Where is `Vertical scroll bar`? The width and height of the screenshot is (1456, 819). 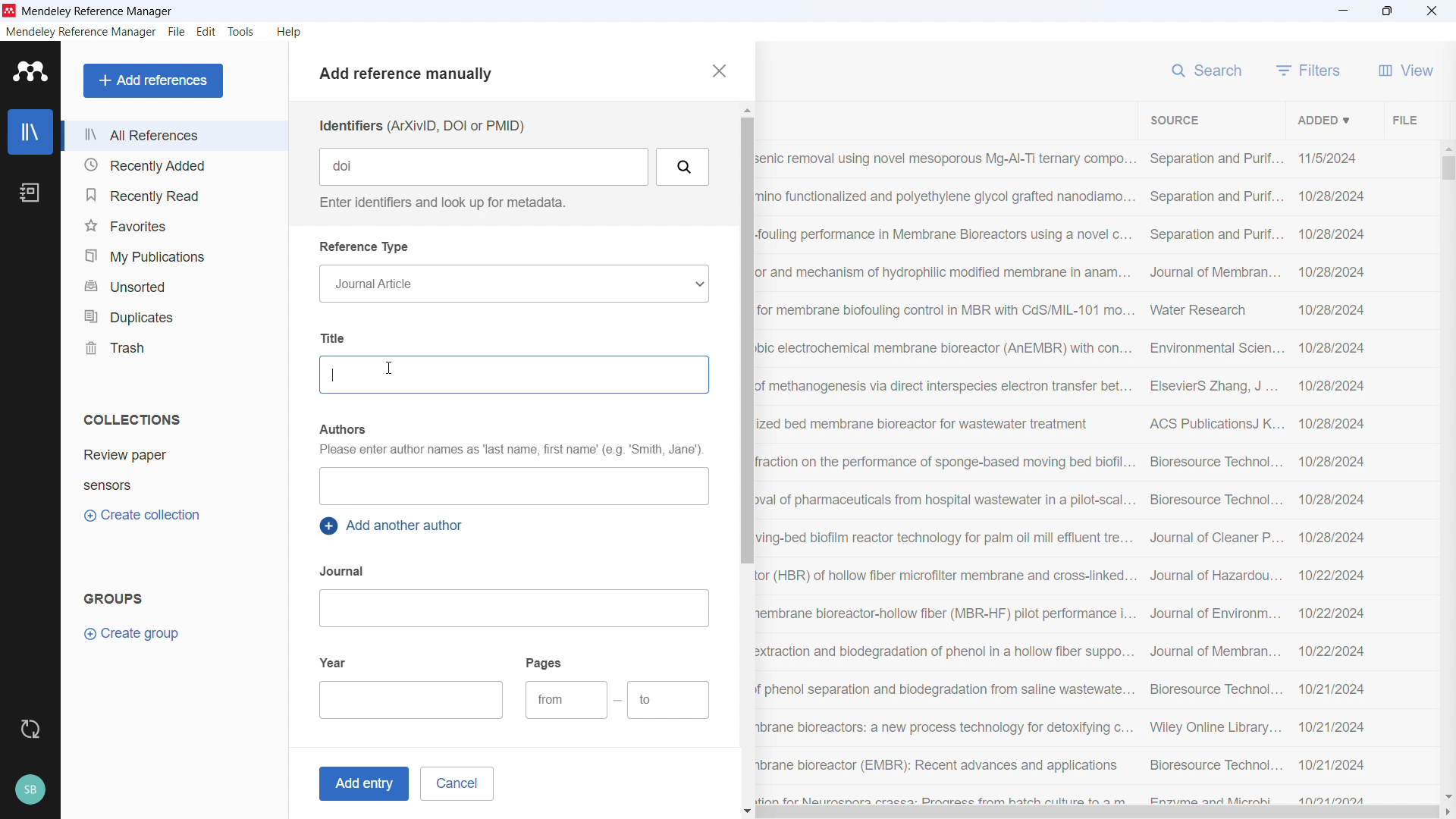 Vertical scroll bar is located at coordinates (745, 340).